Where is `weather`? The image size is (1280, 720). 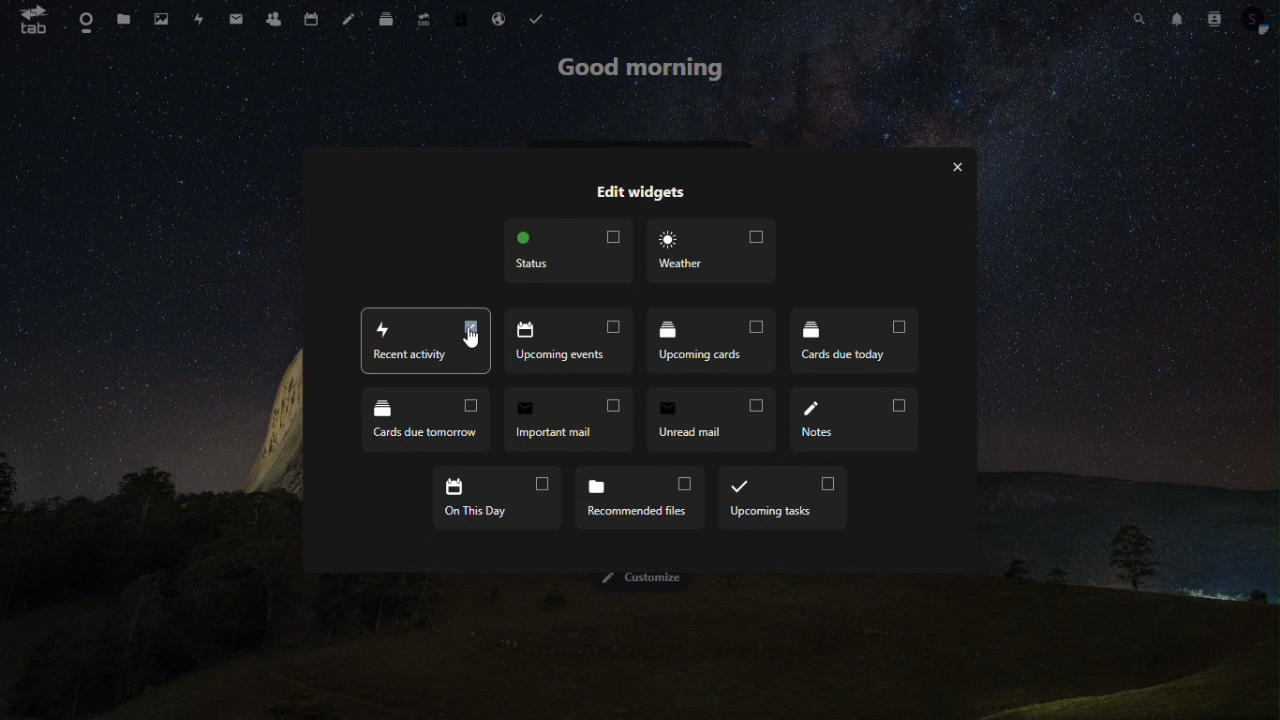
weather is located at coordinates (709, 251).